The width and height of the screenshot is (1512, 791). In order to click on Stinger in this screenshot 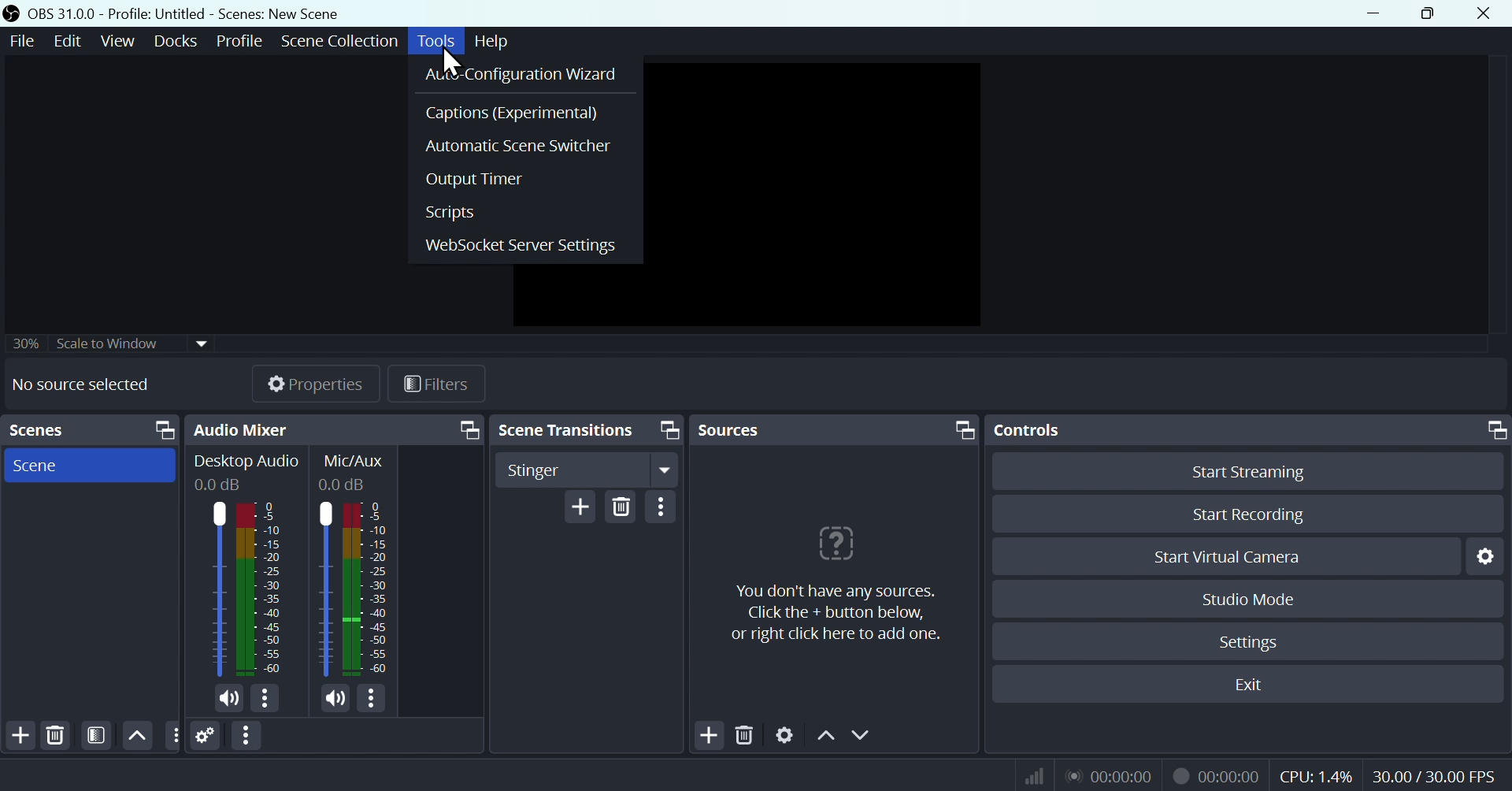, I will do `click(590, 469)`.